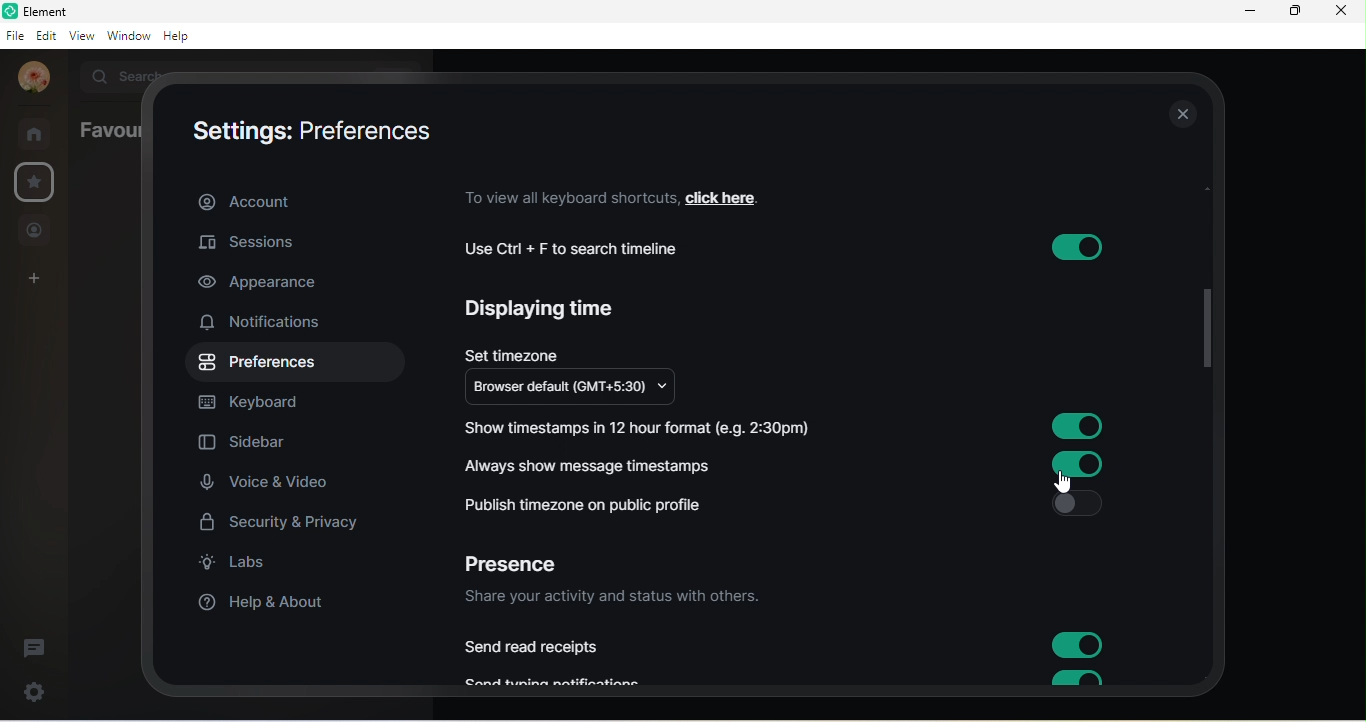  I want to click on sessions, so click(271, 241).